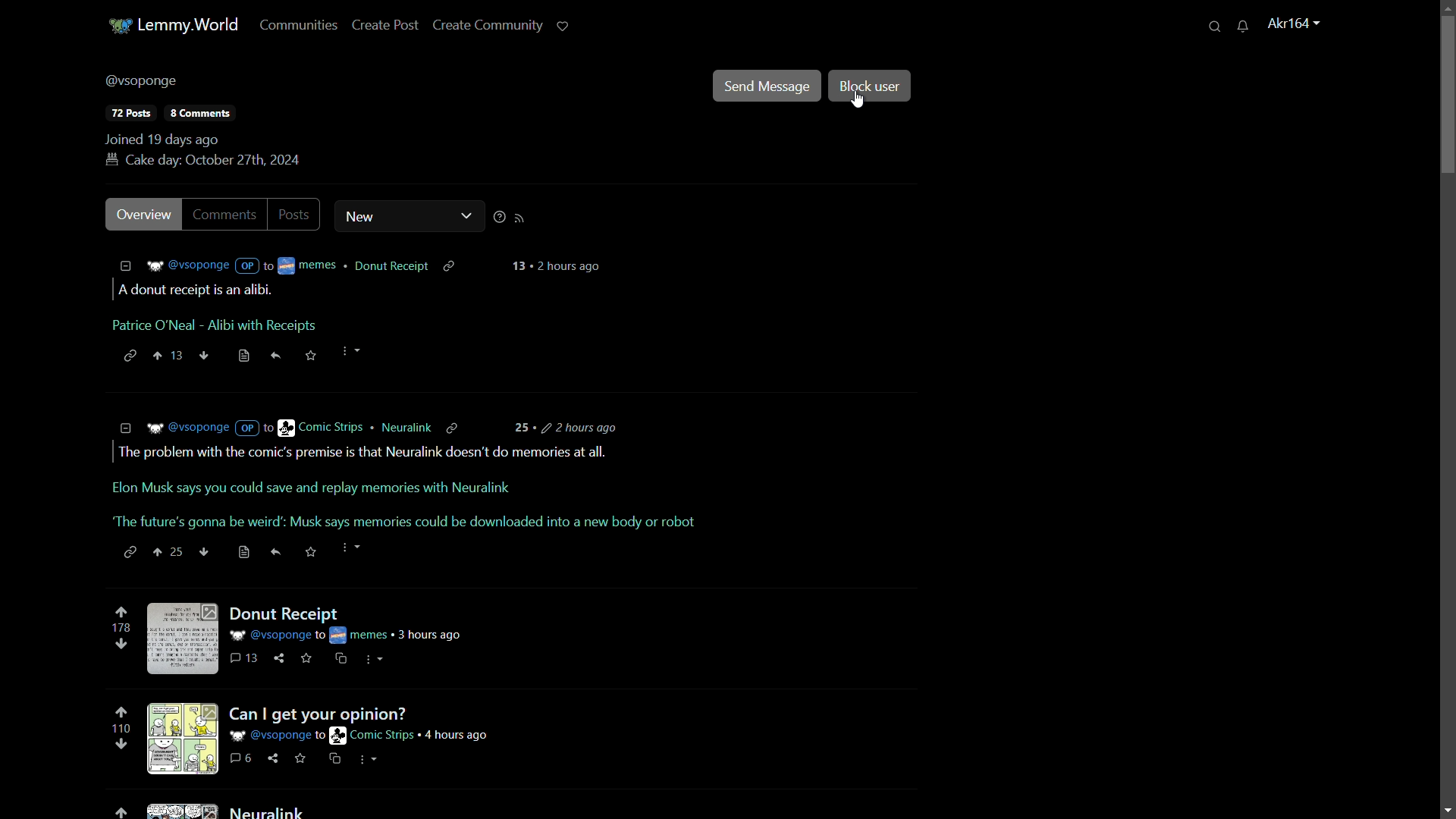  Describe the element at coordinates (122, 644) in the screenshot. I see `downvote` at that location.